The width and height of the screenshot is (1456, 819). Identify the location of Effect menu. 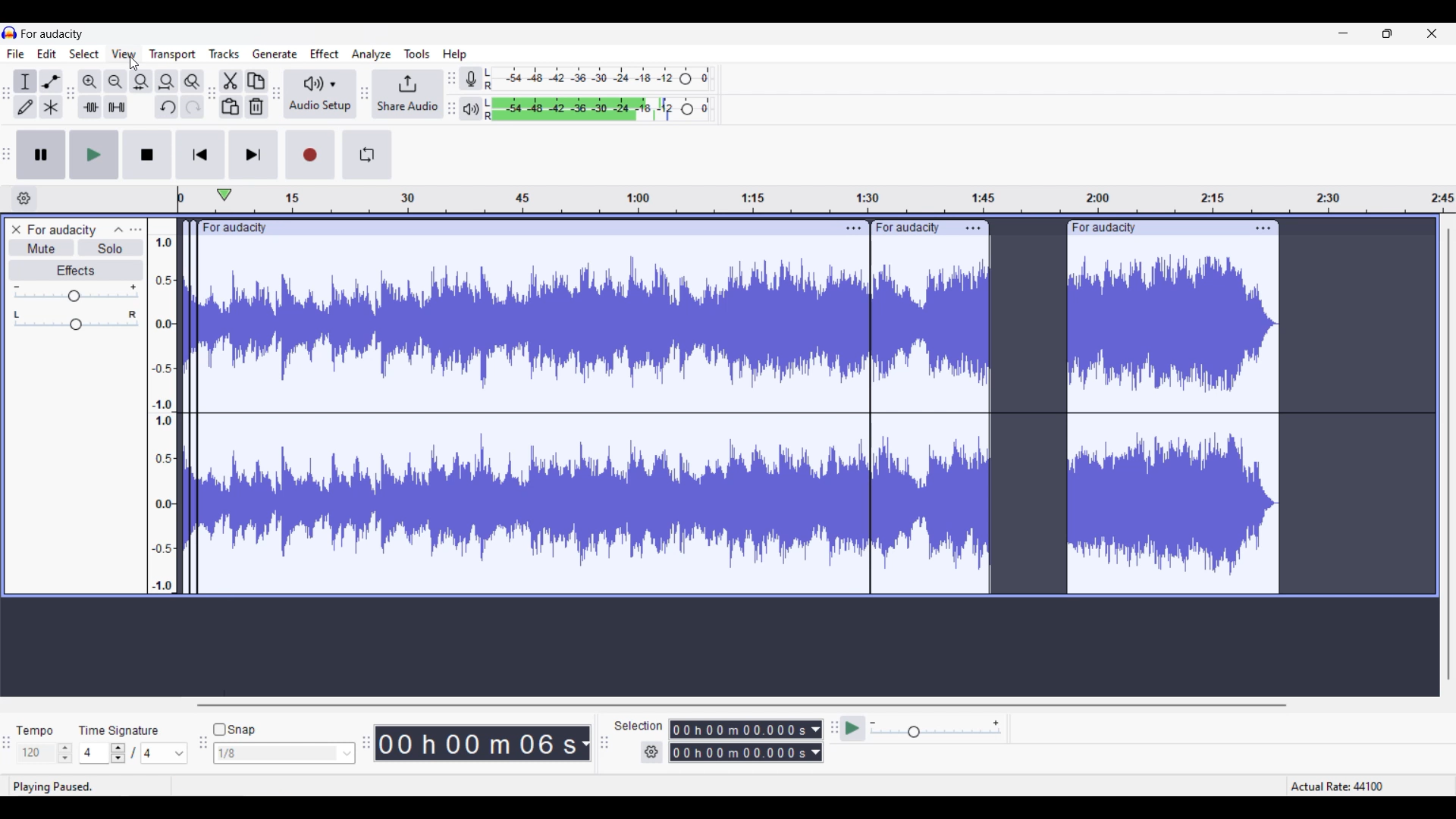
(325, 53).